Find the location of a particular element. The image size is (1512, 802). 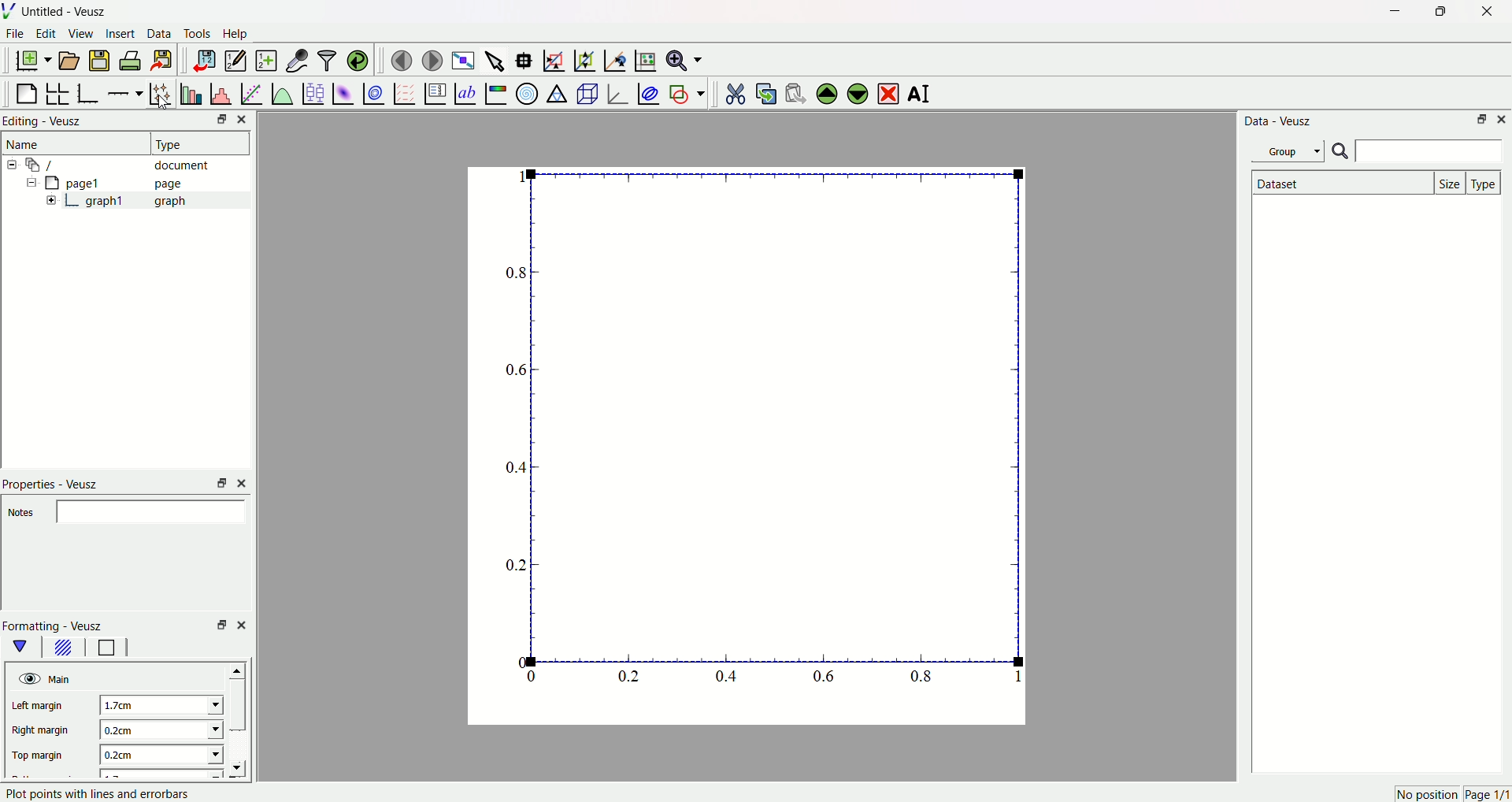

zoom functions is located at coordinates (684, 60).